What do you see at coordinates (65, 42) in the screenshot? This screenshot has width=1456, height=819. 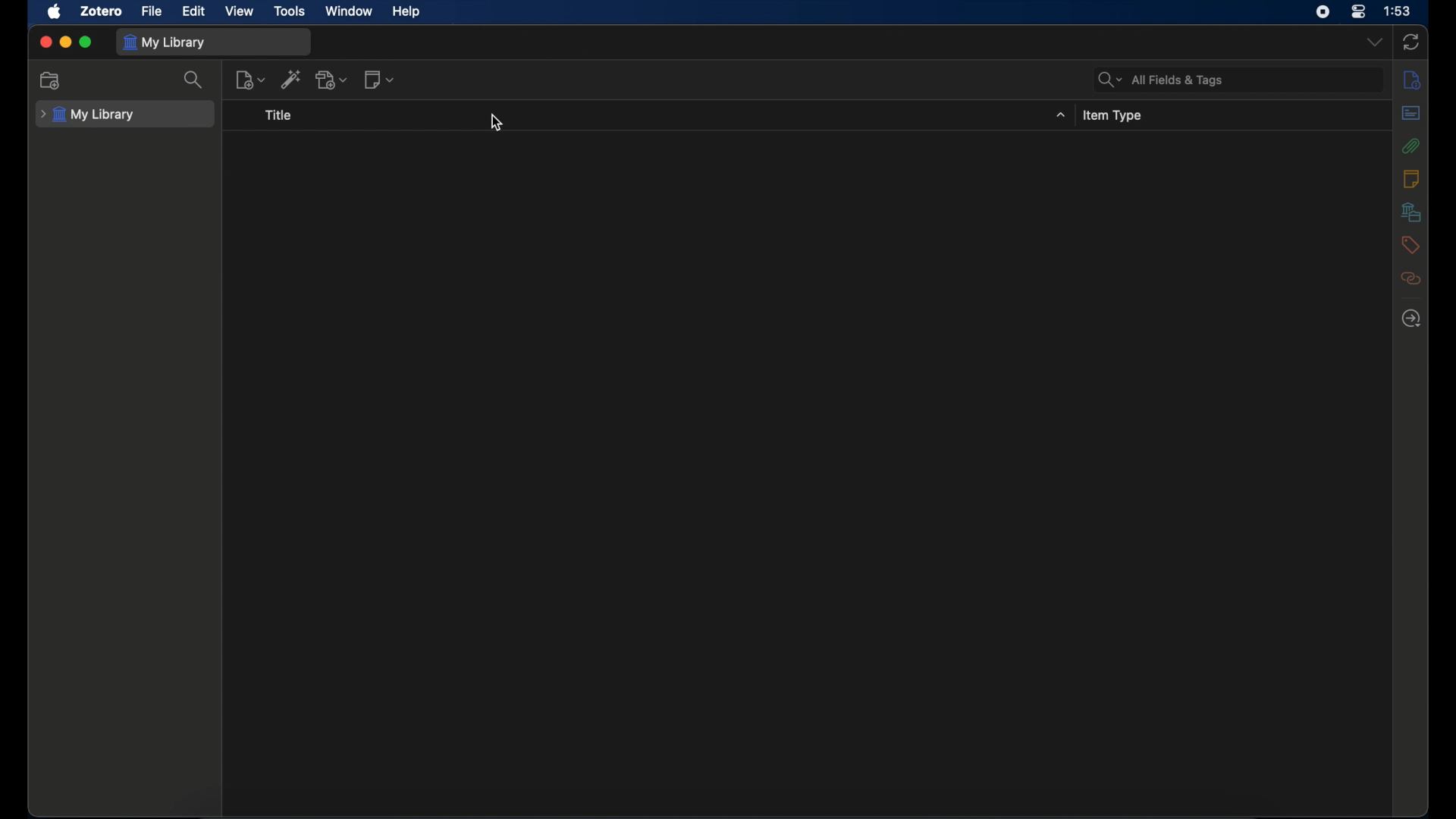 I see `minimize` at bounding box center [65, 42].